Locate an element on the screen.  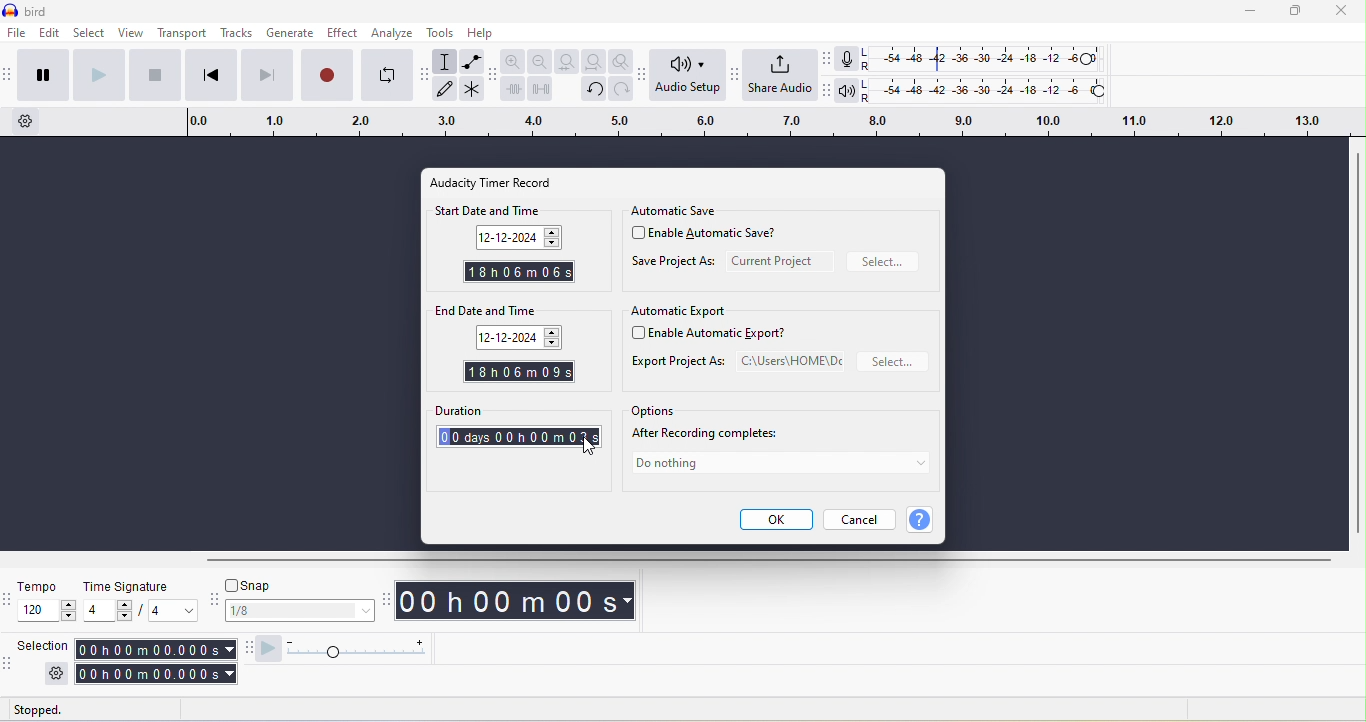
tracks is located at coordinates (236, 34).